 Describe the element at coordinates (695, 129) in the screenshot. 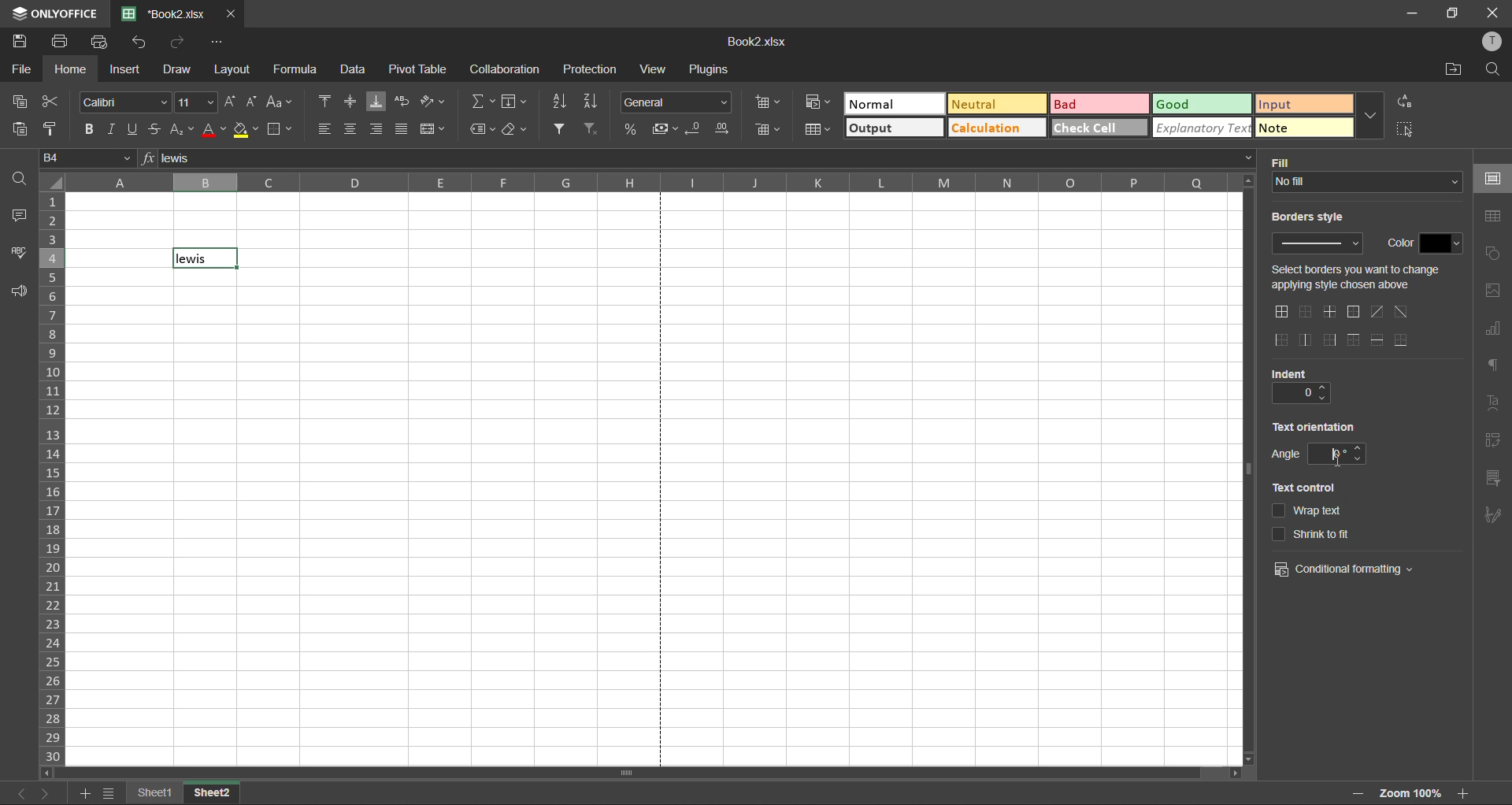

I see `decrease decimal` at that location.